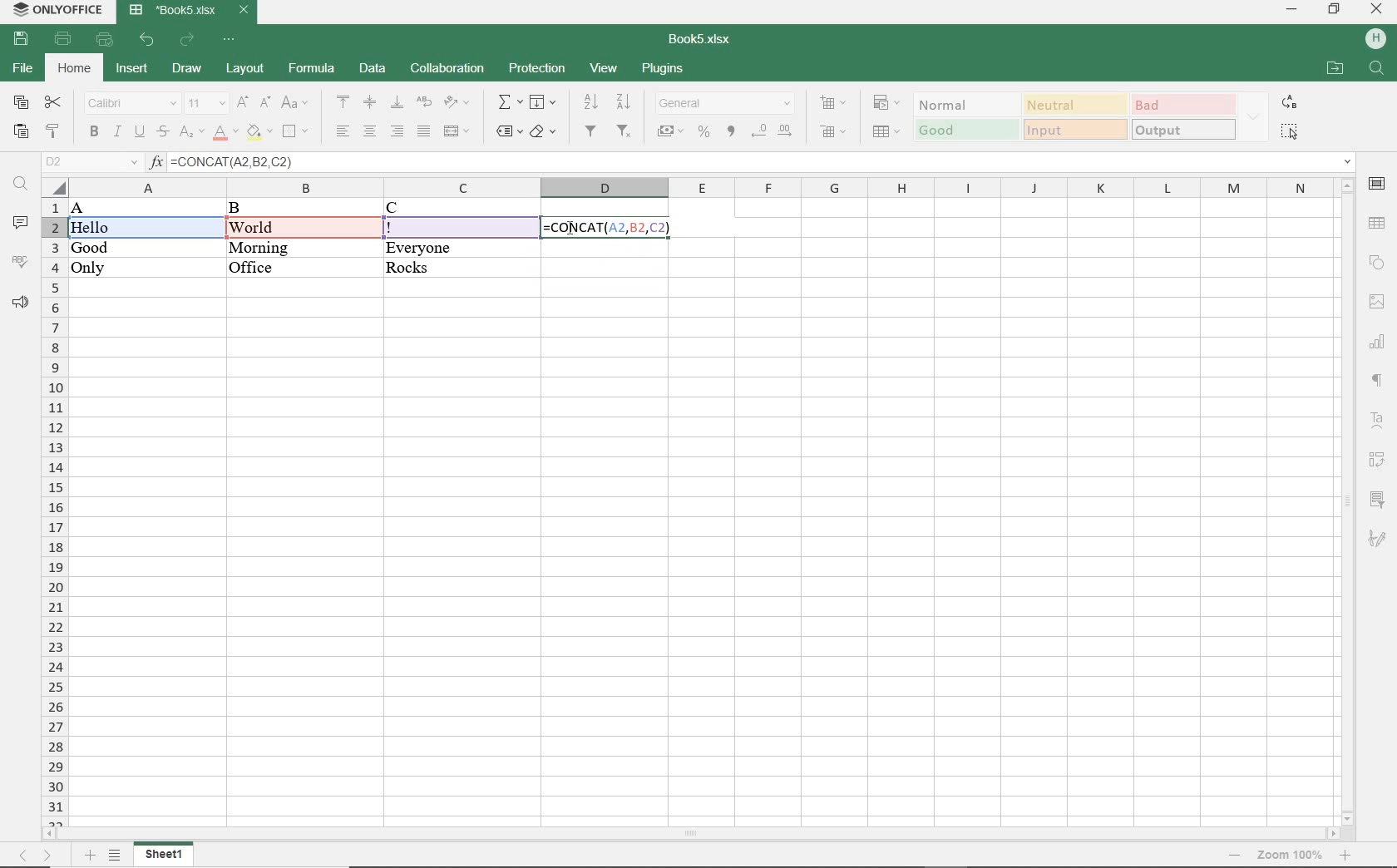 The height and width of the screenshot is (868, 1397). Describe the element at coordinates (63, 40) in the screenshot. I see `PRINT` at that location.